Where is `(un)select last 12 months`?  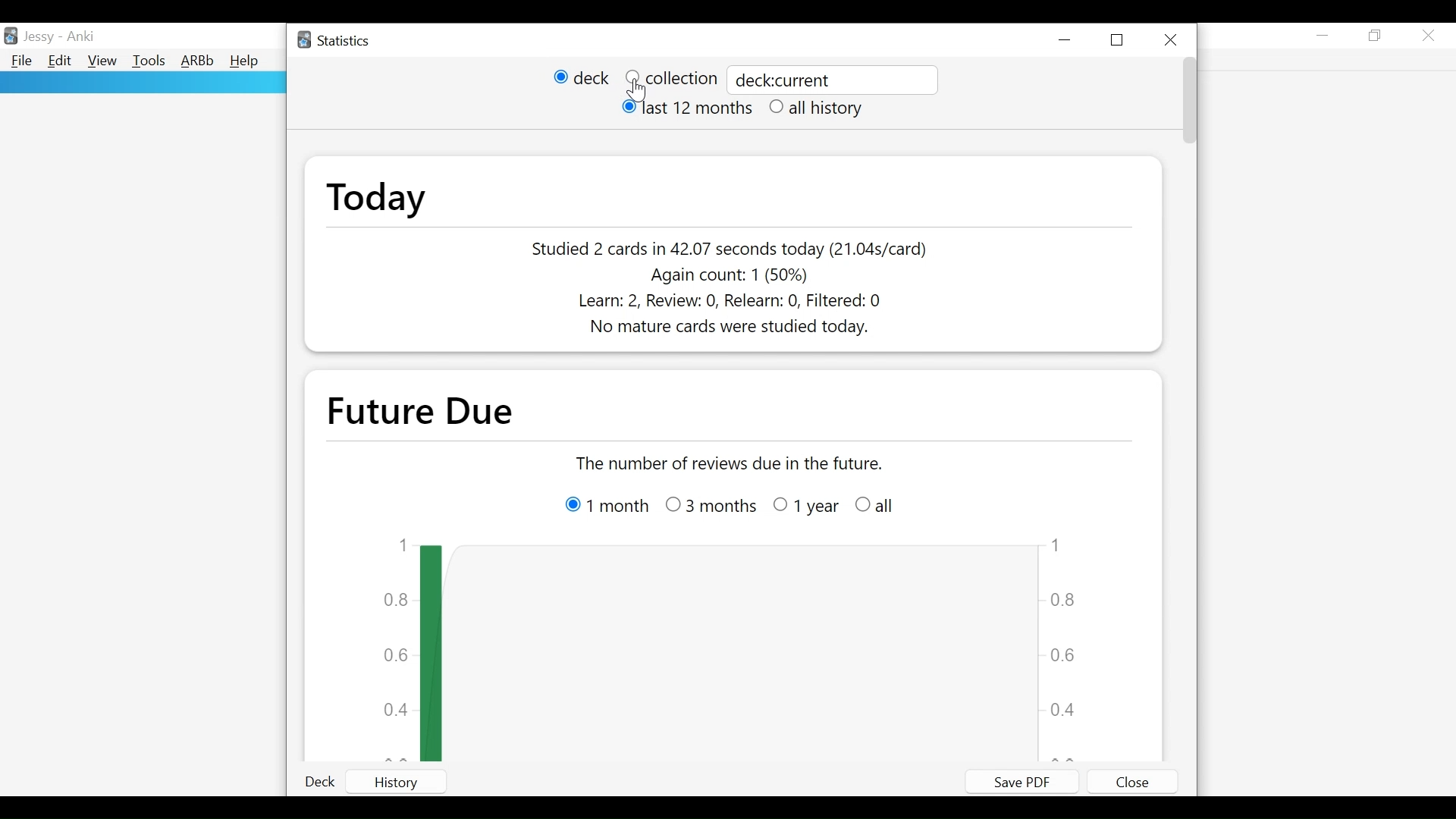
(un)select last 12 months is located at coordinates (685, 109).